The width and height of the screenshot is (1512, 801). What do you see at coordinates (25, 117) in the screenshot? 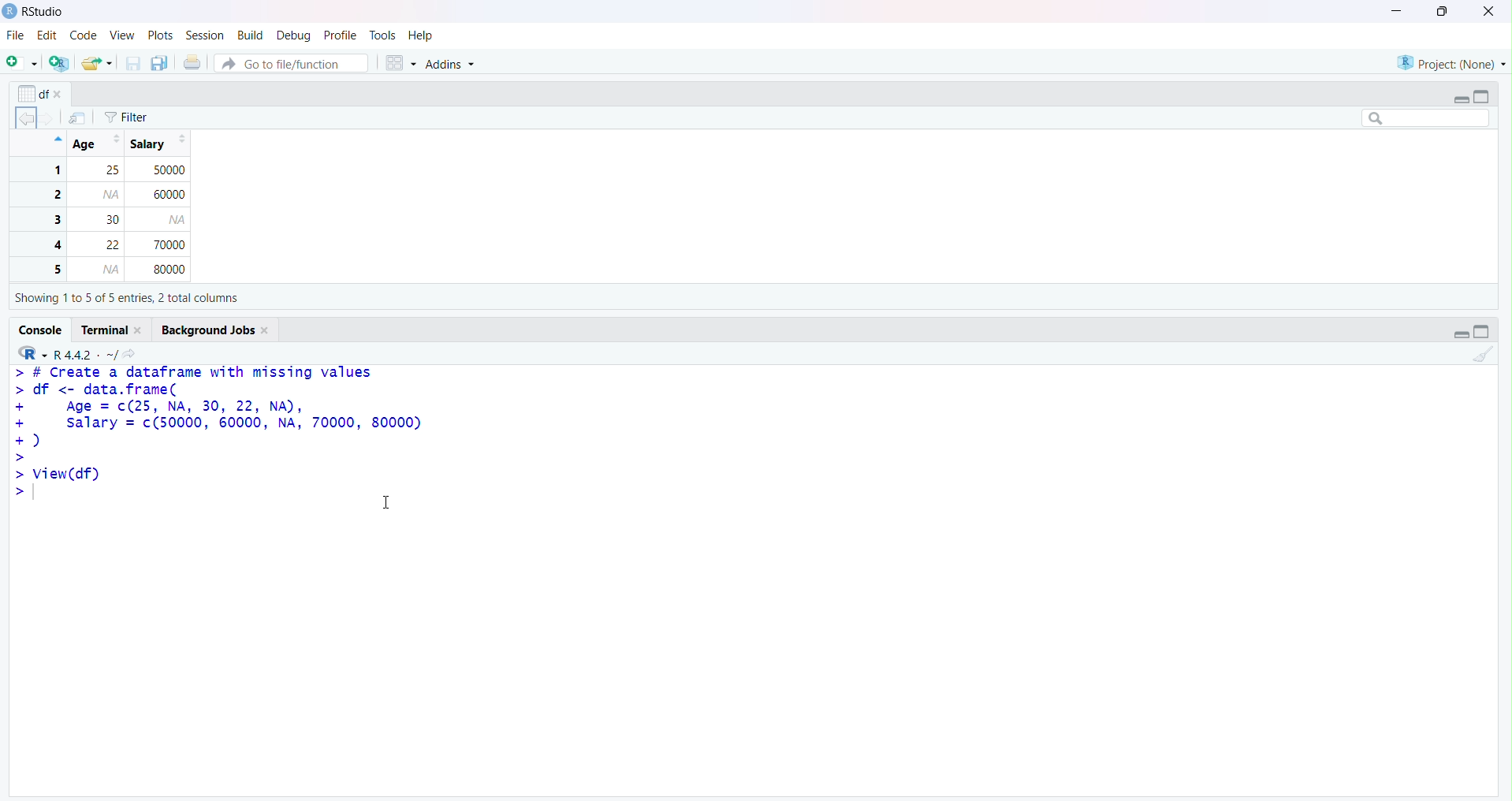
I see `Go back to the previous source location (Ctrl + F9)` at bounding box center [25, 117].